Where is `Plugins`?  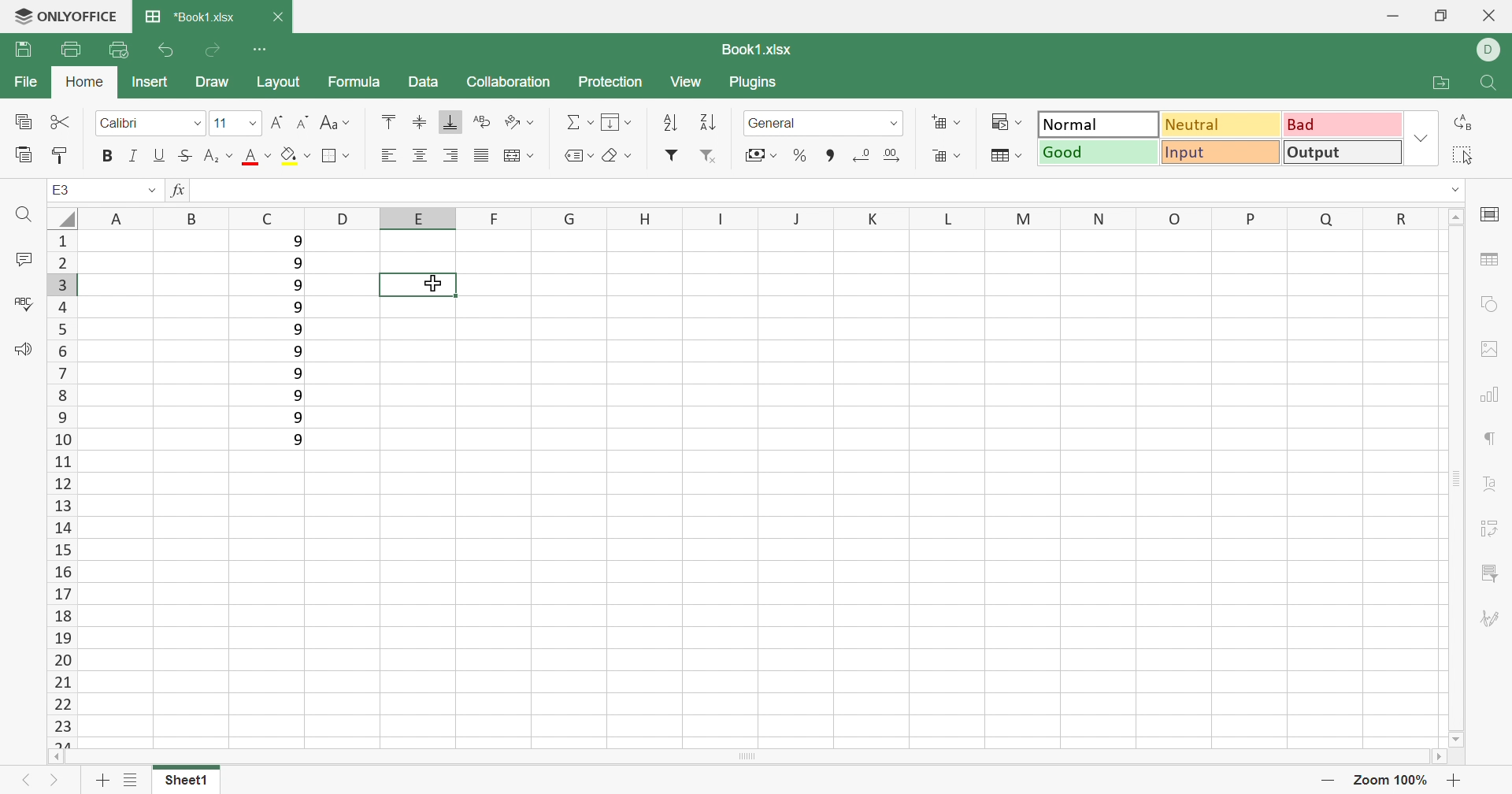 Plugins is located at coordinates (758, 85).